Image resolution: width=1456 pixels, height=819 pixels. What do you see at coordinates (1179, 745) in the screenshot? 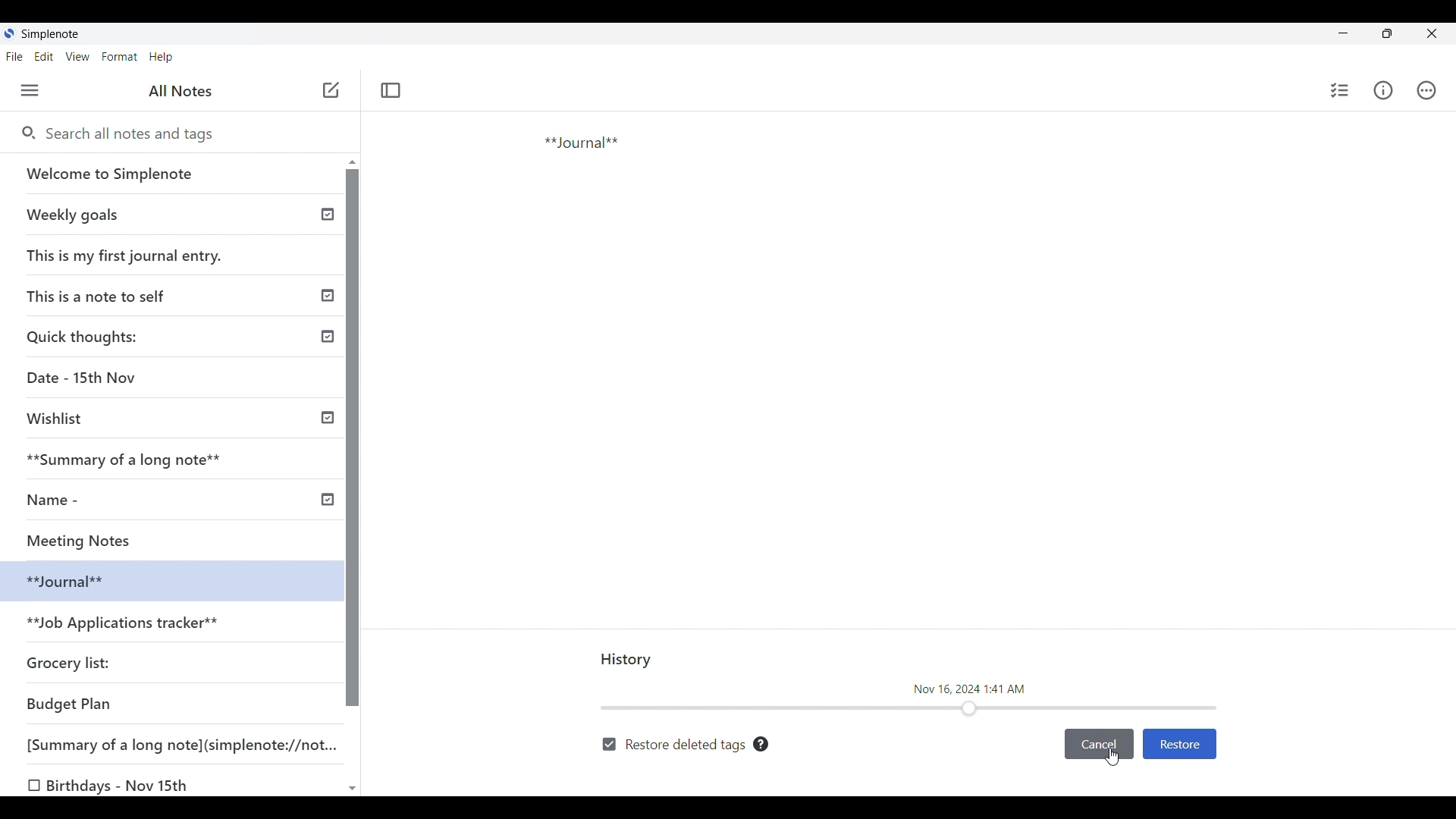
I see `Restore version shown by current header position` at bounding box center [1179, 745].